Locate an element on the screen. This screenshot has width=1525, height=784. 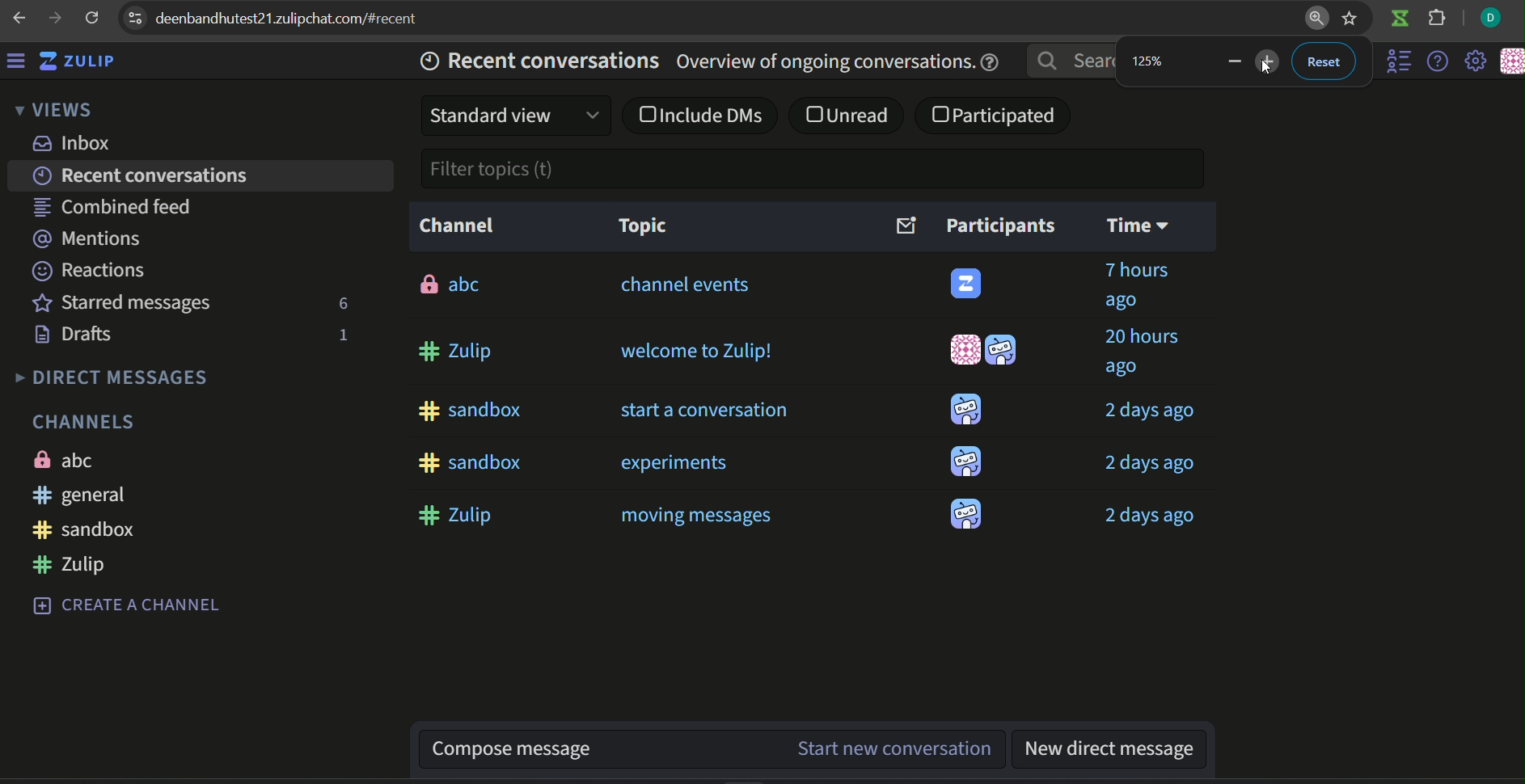
2 days ago is located at coordinates (1152, 411).